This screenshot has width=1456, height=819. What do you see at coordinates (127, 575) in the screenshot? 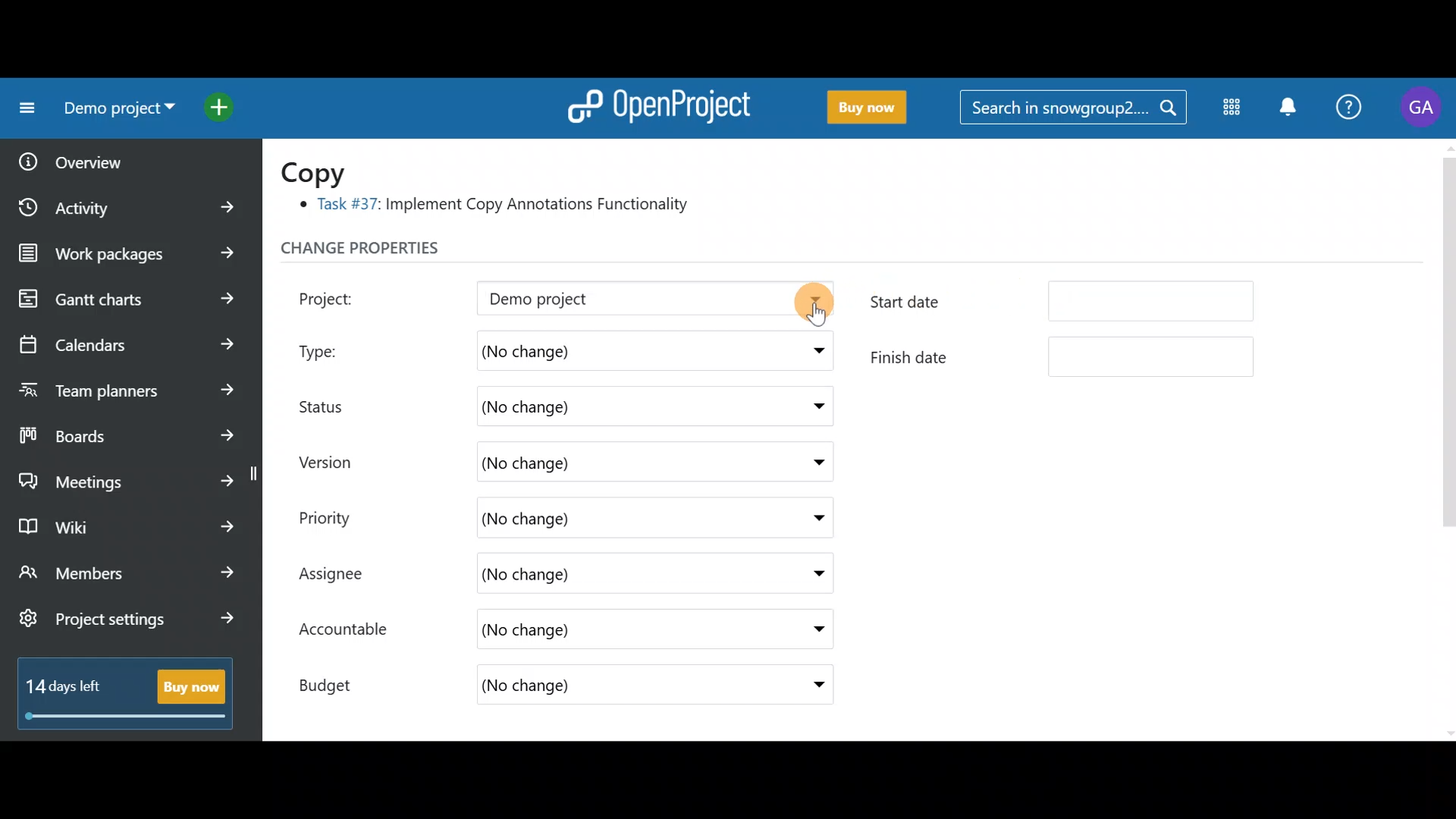
I see `Members` at bounding box center [127, 575].